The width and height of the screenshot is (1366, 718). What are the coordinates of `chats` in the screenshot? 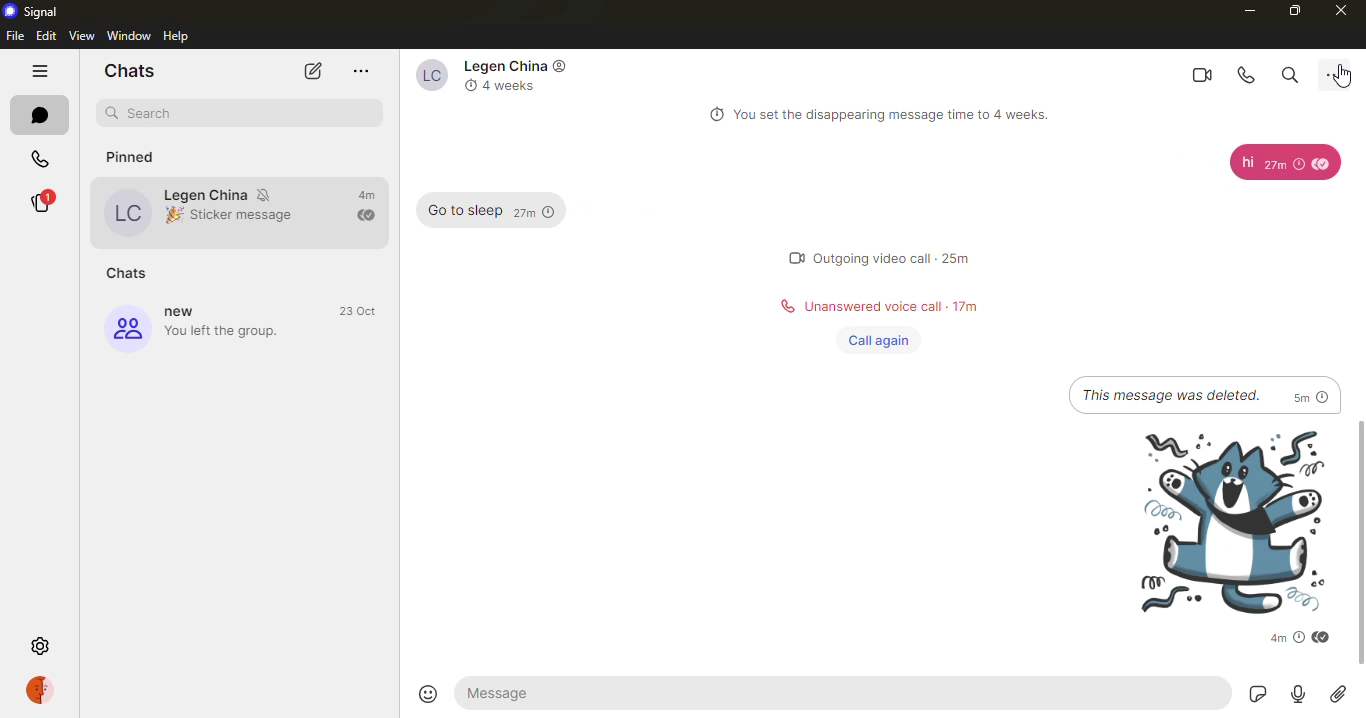 It's located at (35, 115).